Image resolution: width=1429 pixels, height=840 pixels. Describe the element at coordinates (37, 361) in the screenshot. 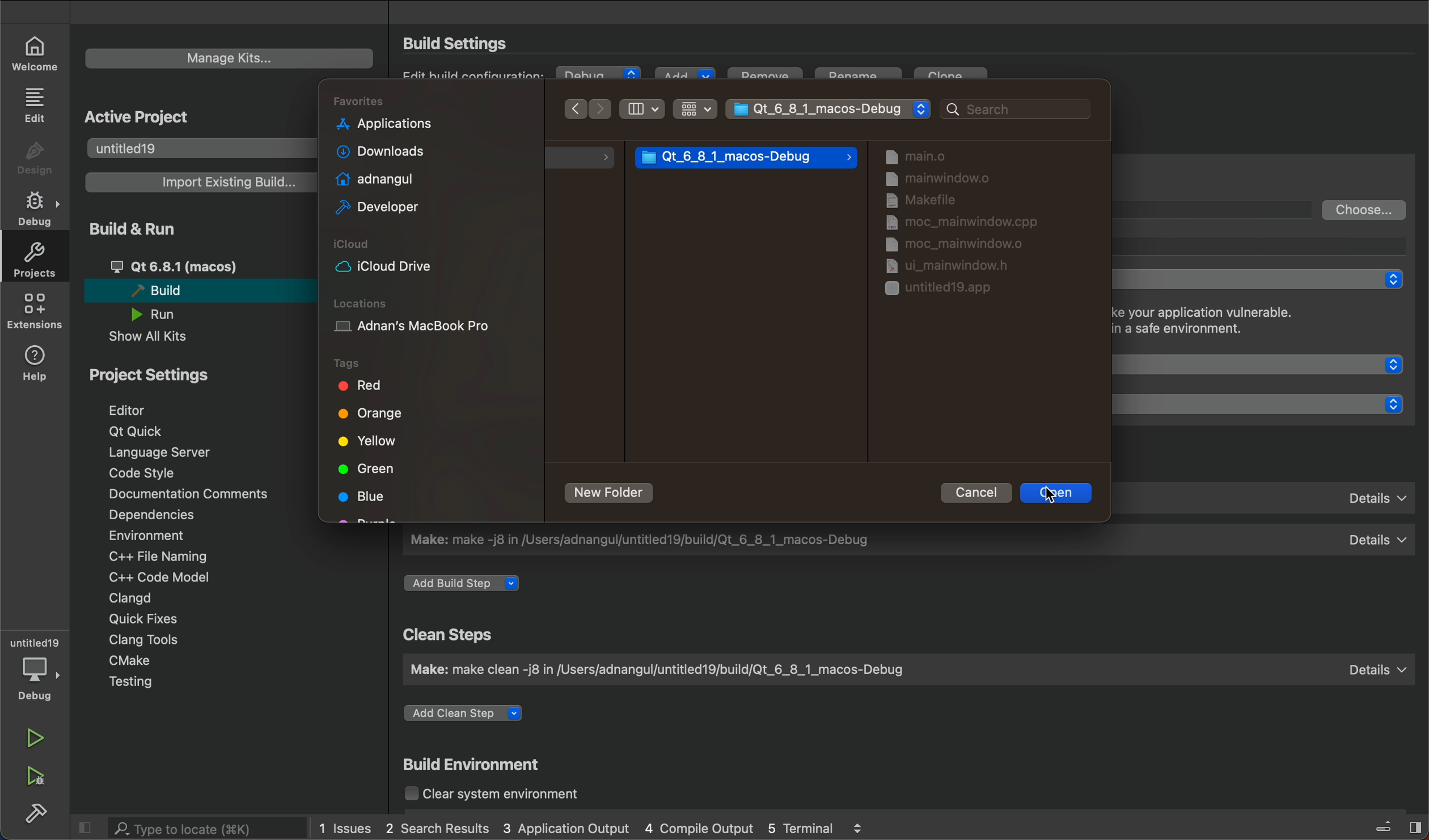

I see `help` at that location.